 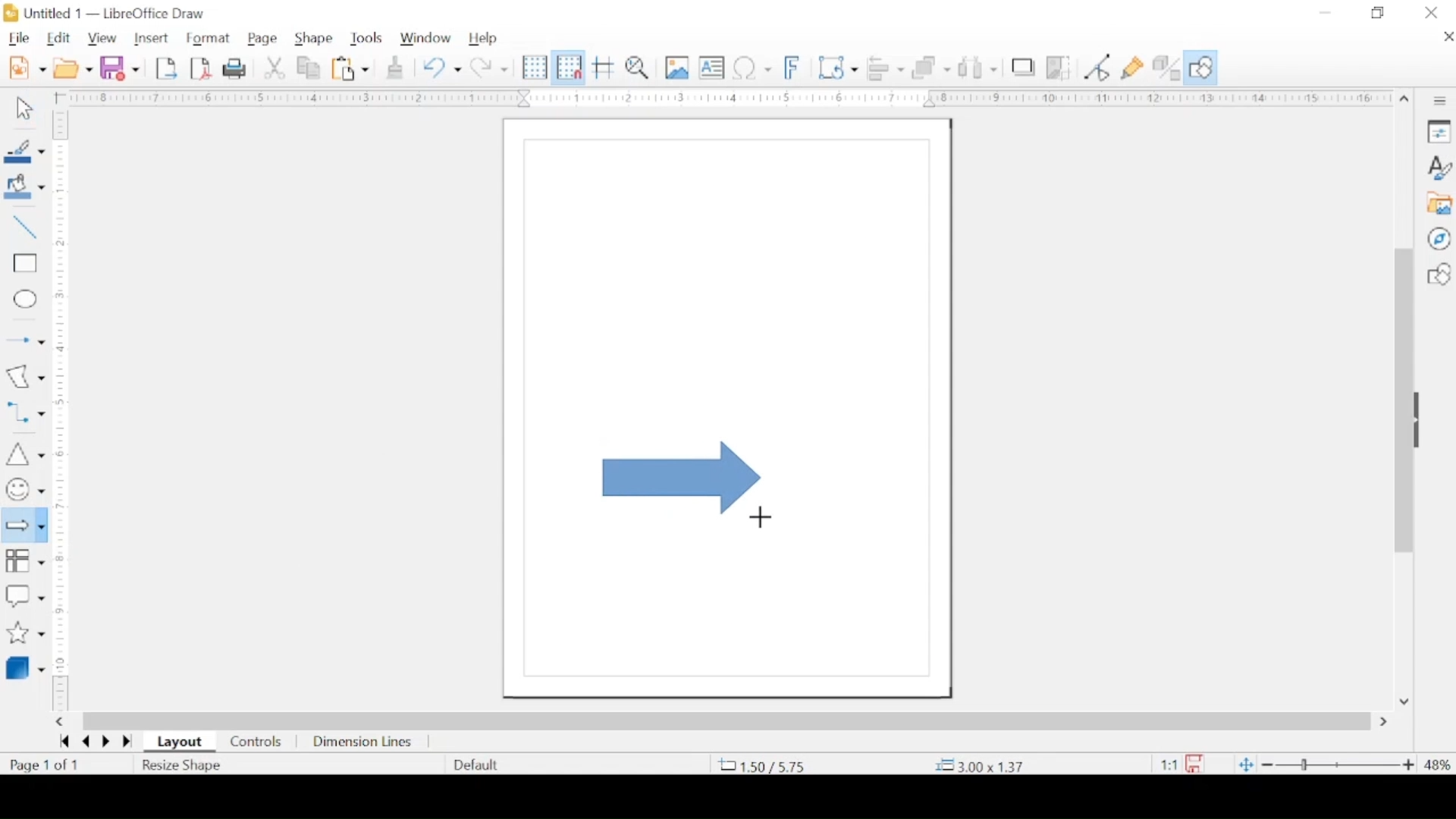 What do you see at coordinates (682, 479) in the screenshot?
I see `block arrow` at bounding box center [682, 479].